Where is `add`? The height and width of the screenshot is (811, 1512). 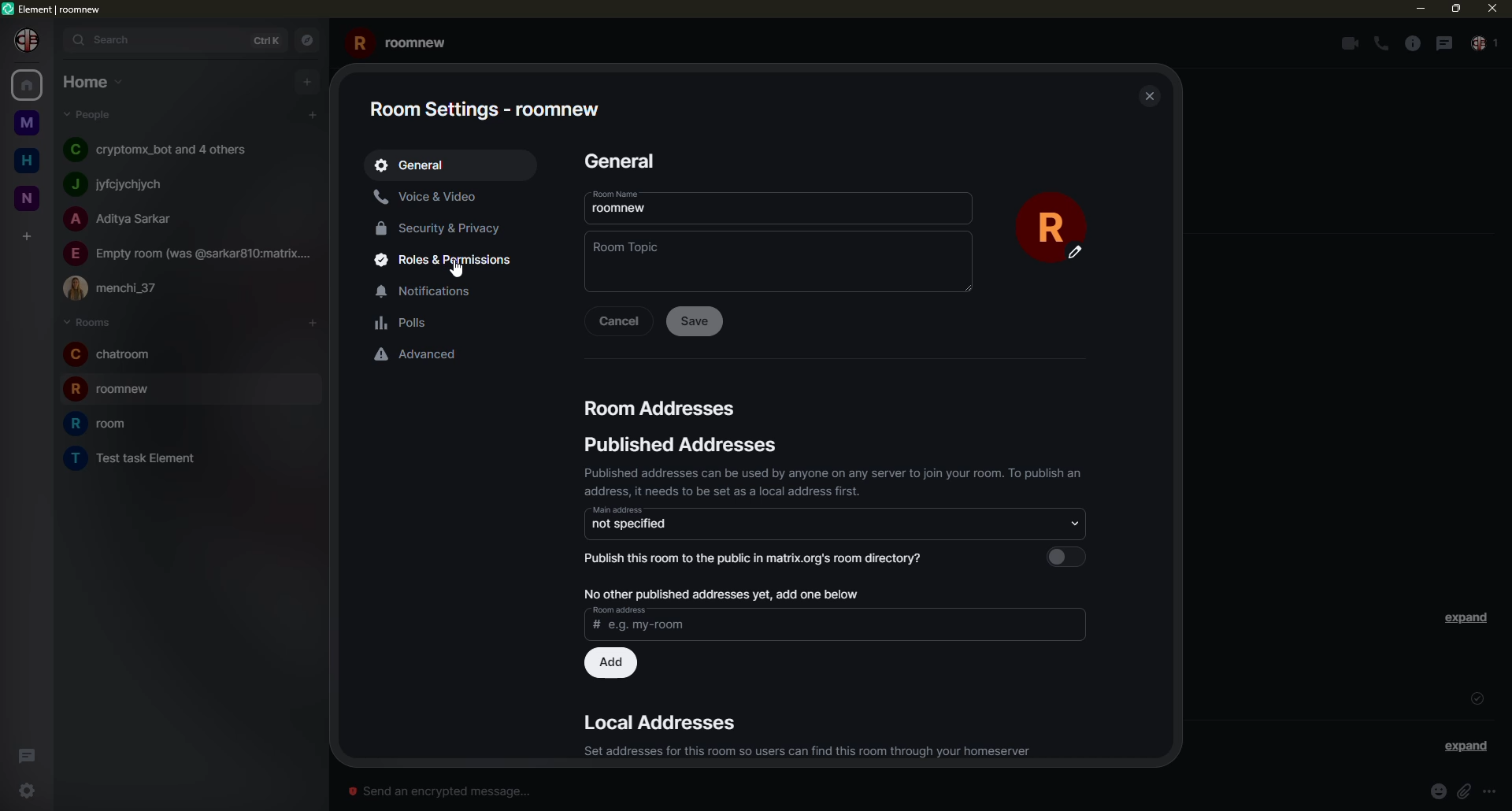
add is located at coordinates (310, 323).